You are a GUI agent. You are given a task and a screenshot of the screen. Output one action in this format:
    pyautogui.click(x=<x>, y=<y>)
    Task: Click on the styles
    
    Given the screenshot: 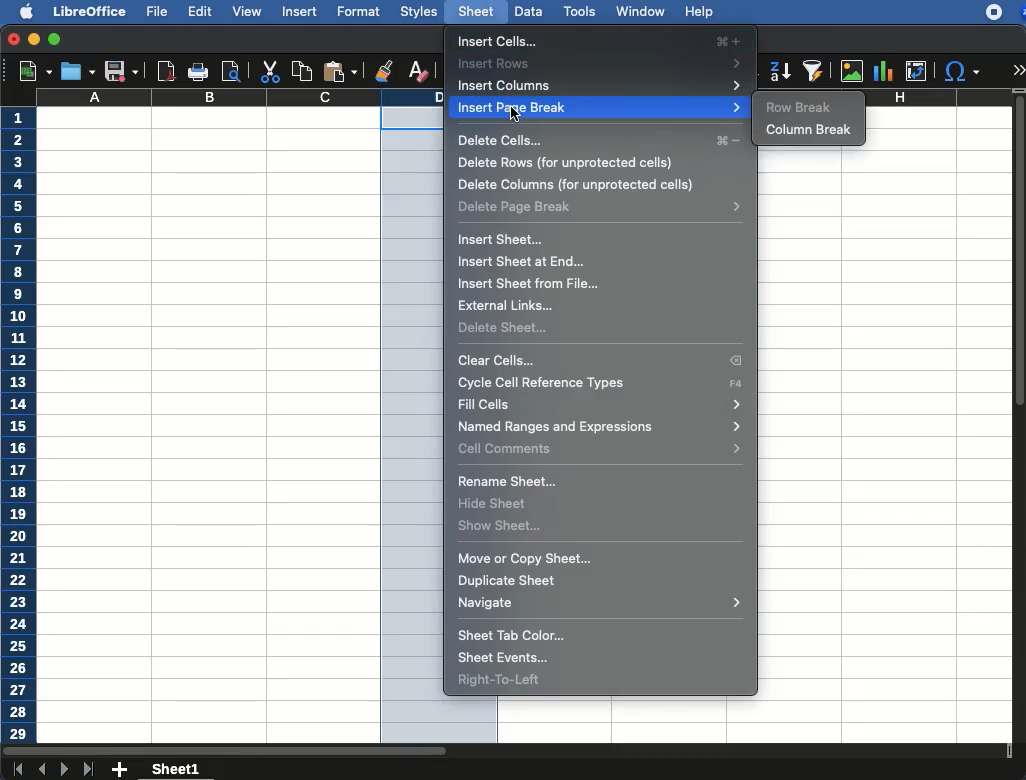 What is the action you would take?
    pyautogui.click(x=418, y=11)
    